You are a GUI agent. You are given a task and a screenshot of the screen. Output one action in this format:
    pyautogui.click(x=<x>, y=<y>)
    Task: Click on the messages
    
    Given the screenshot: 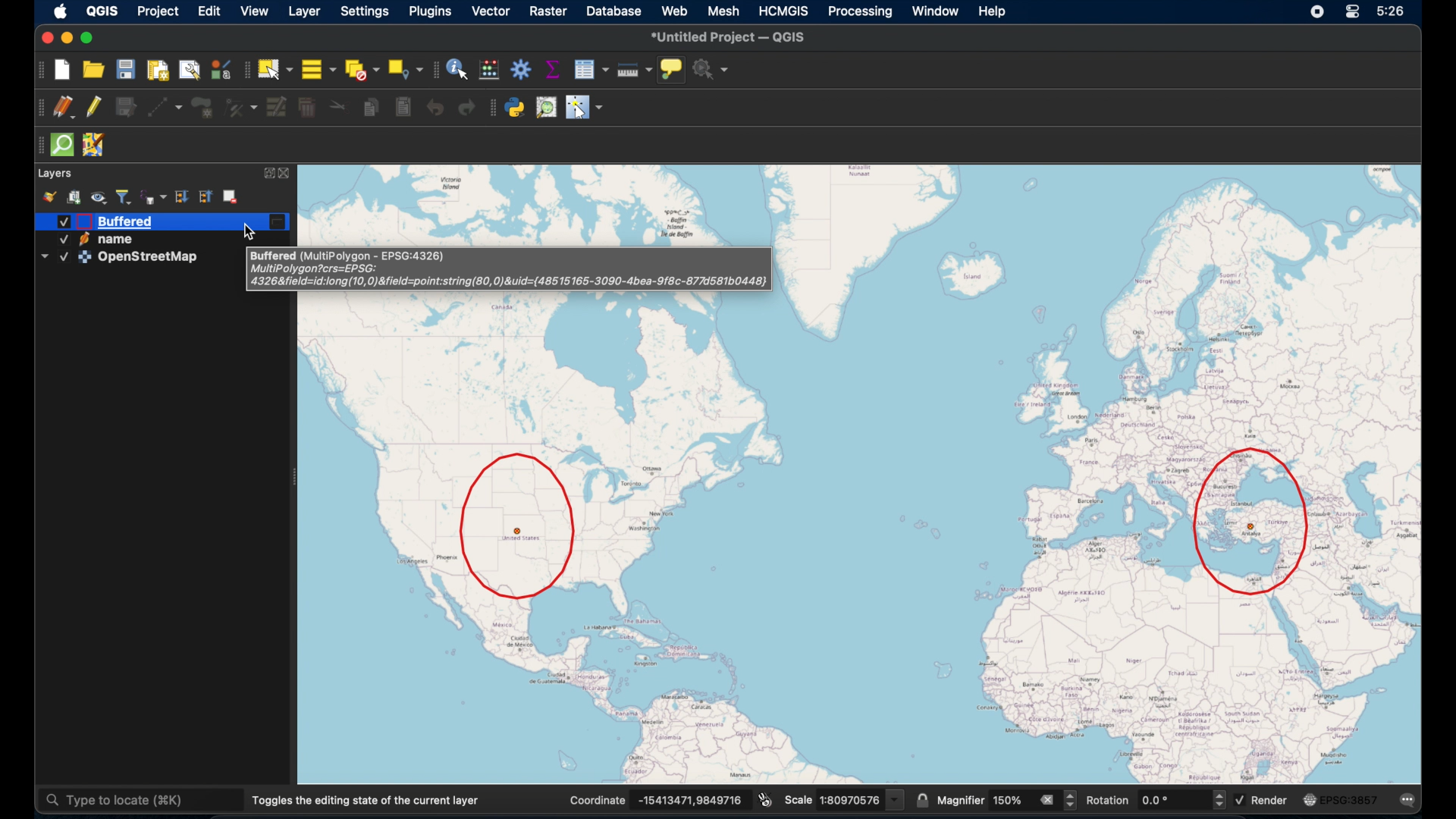 What is the action you would take?
    pyautogui.click(x=1410, y=800)
    